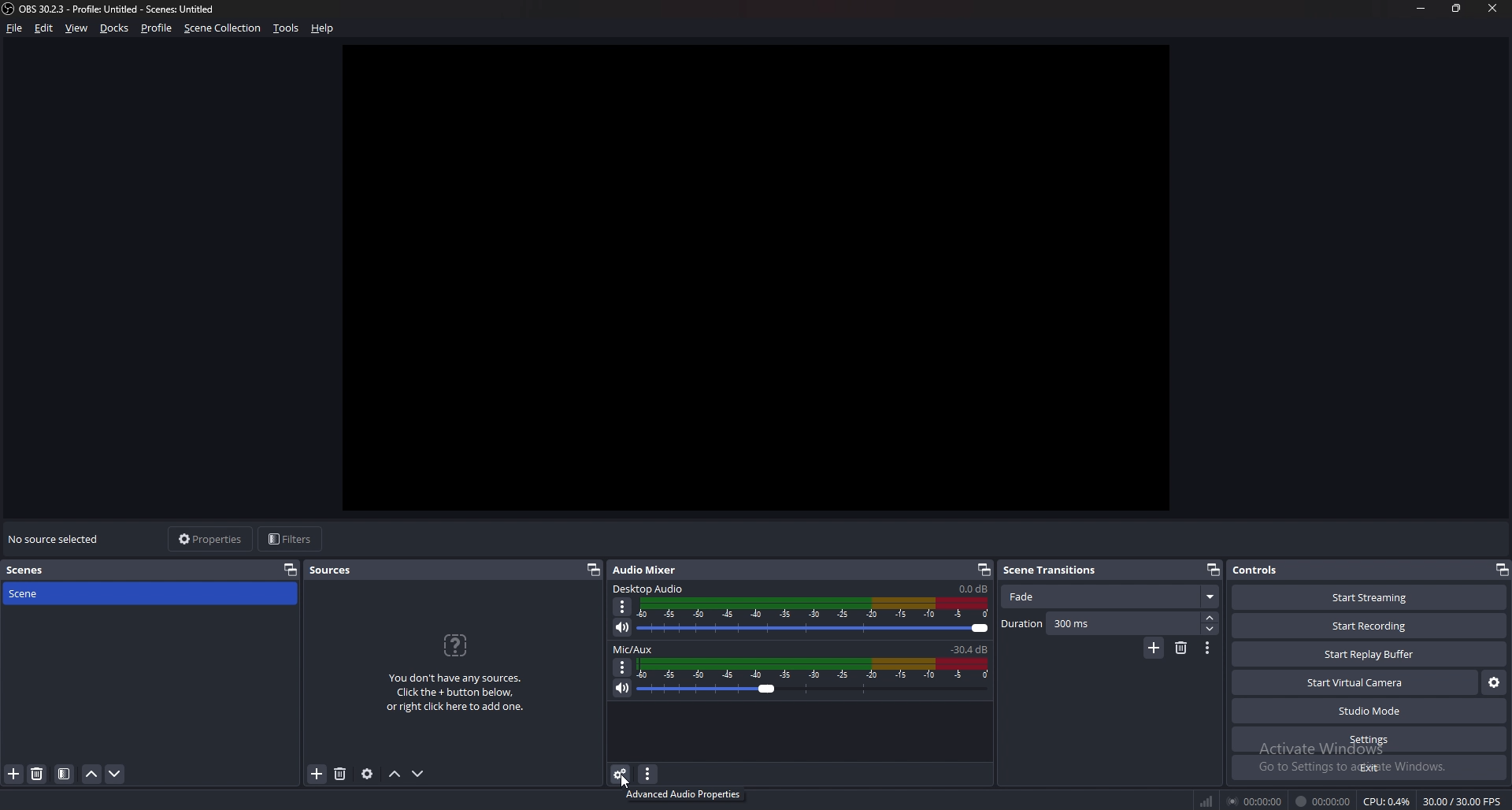 The height and width of the screenshot is (810, 1512). Describe the element at coordinates (454, 645) in the screenshot. I see `icon` at that location.